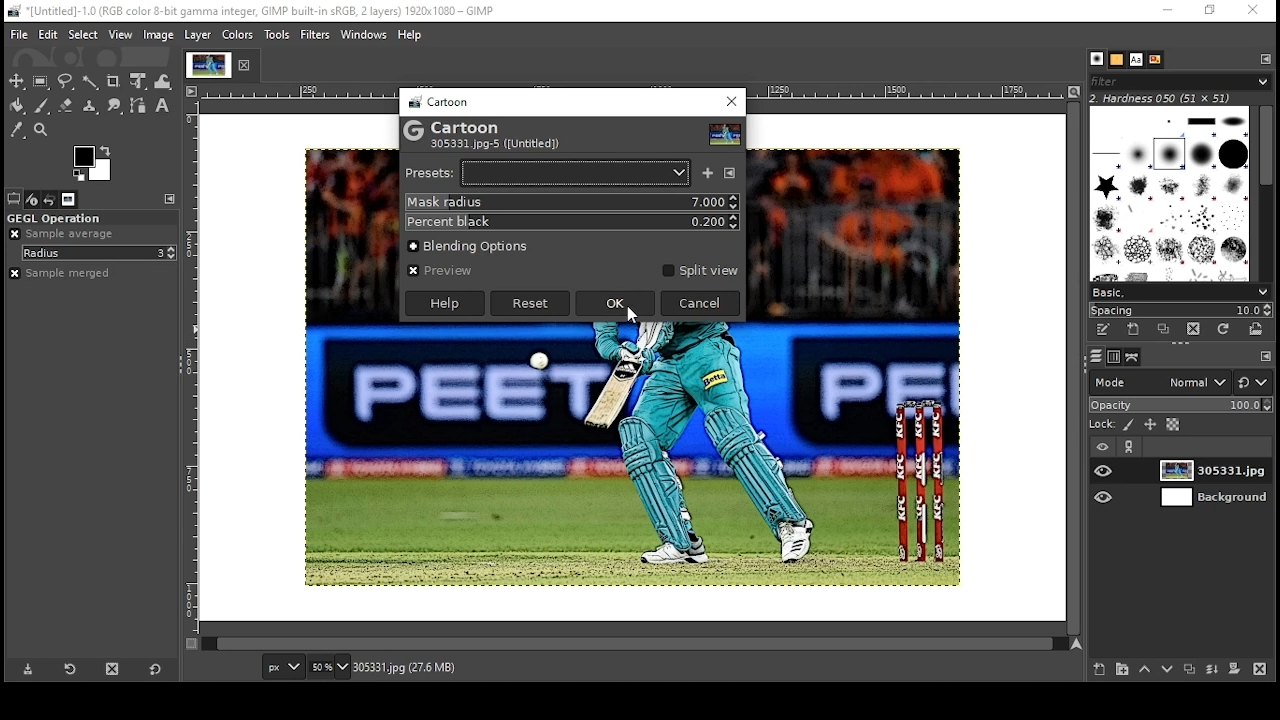 The width and height of the screenshot is (1280, 720). Describe the element at coordinates (363, 35) in the screenshot. I see `windows` at that location.